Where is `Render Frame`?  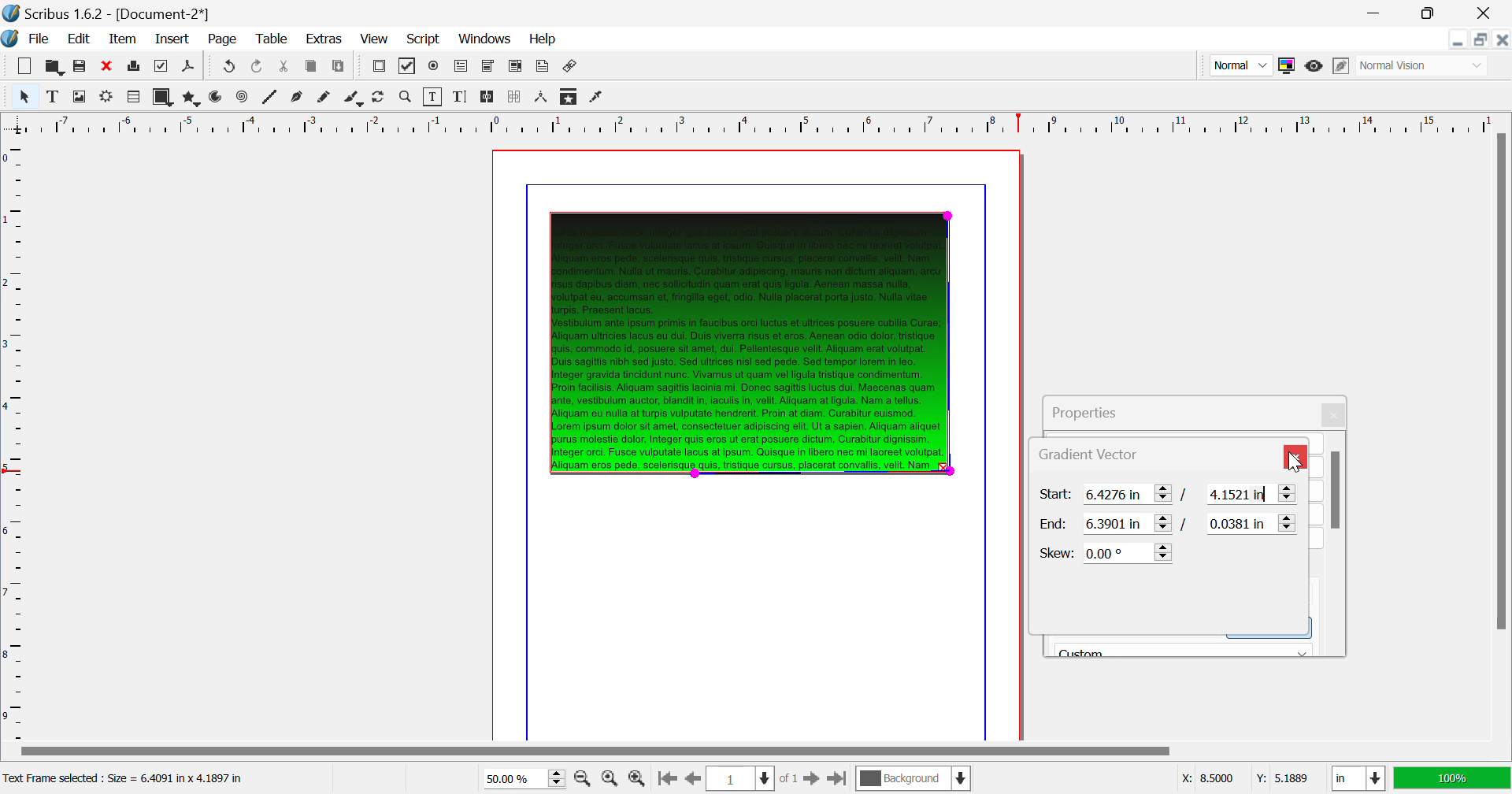
Render Frame is located at coordinates (132, 98).